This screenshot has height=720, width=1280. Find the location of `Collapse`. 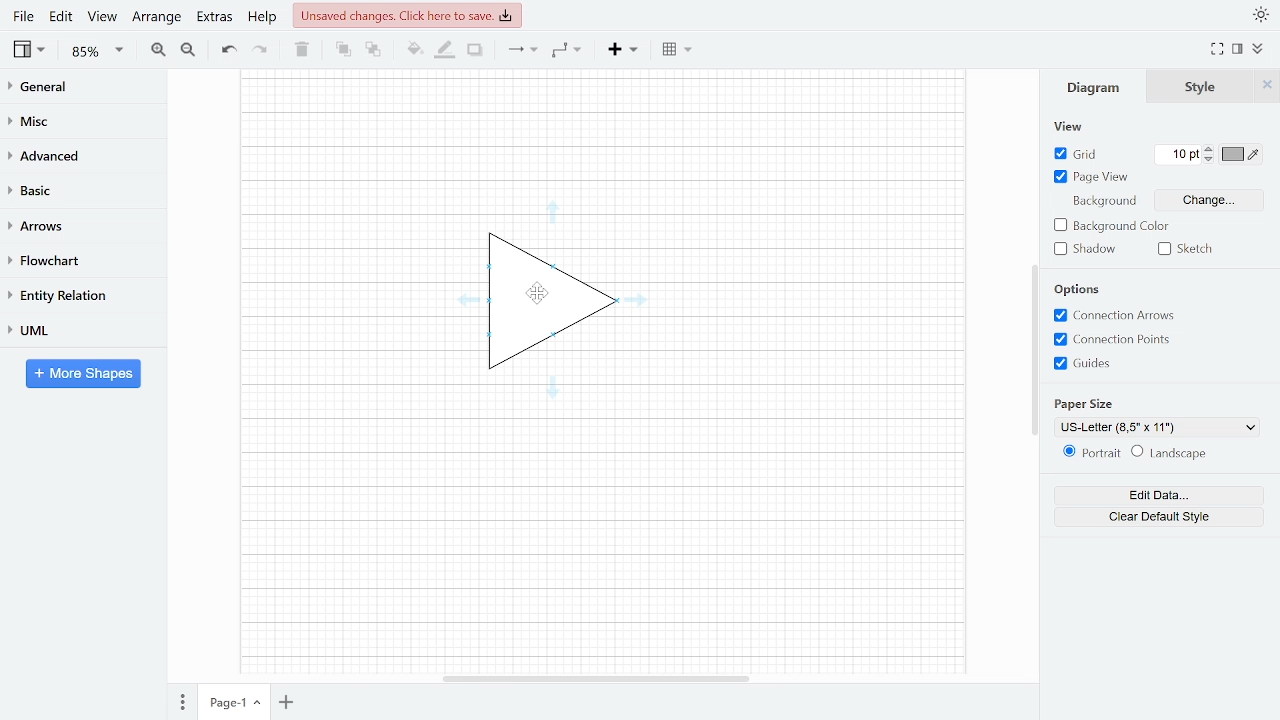

Collapse is located at coordinates (1265, 51).